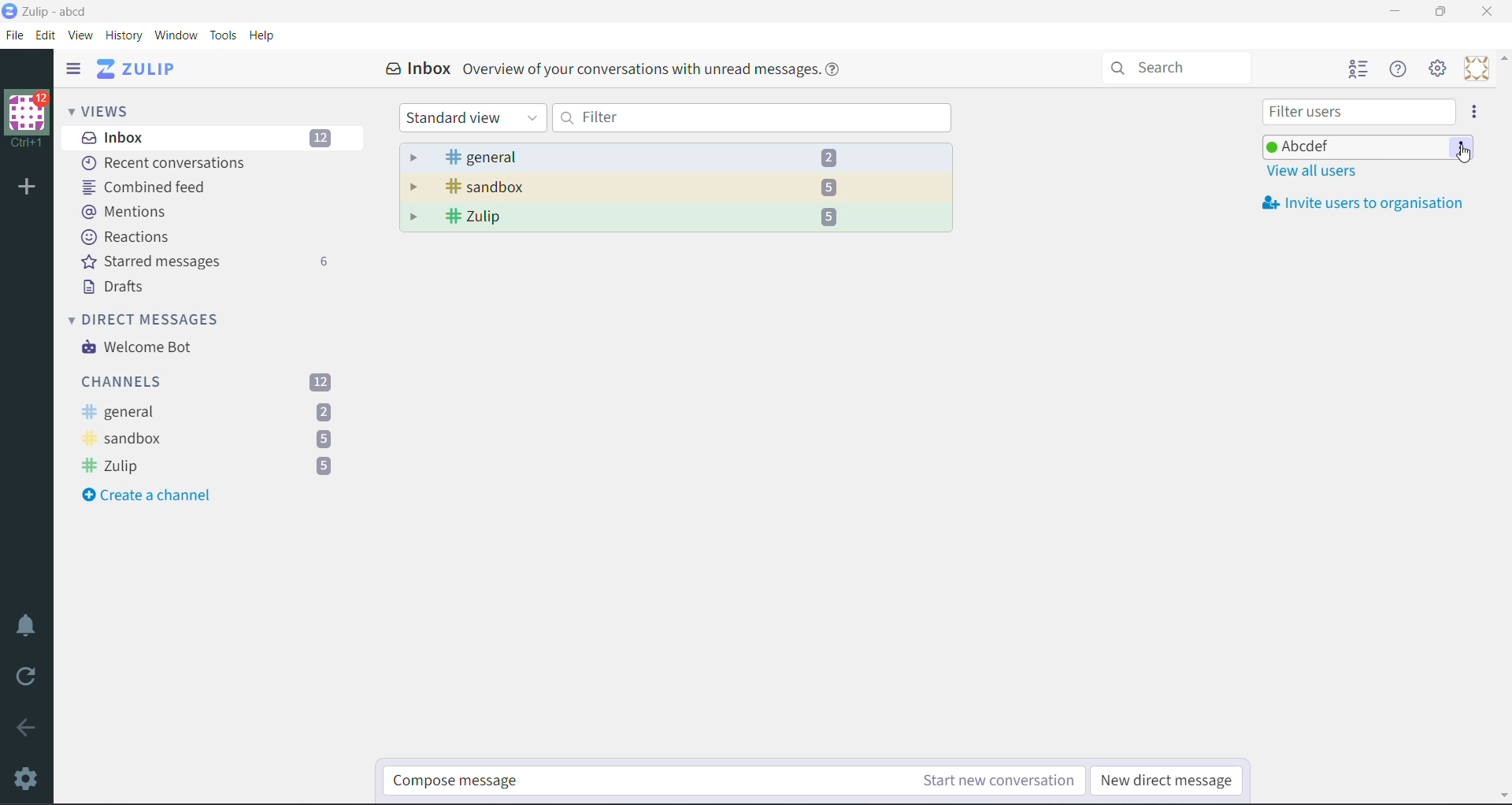 The image size is (1512, 805). I want to click on Reactions, so click(129, 237).